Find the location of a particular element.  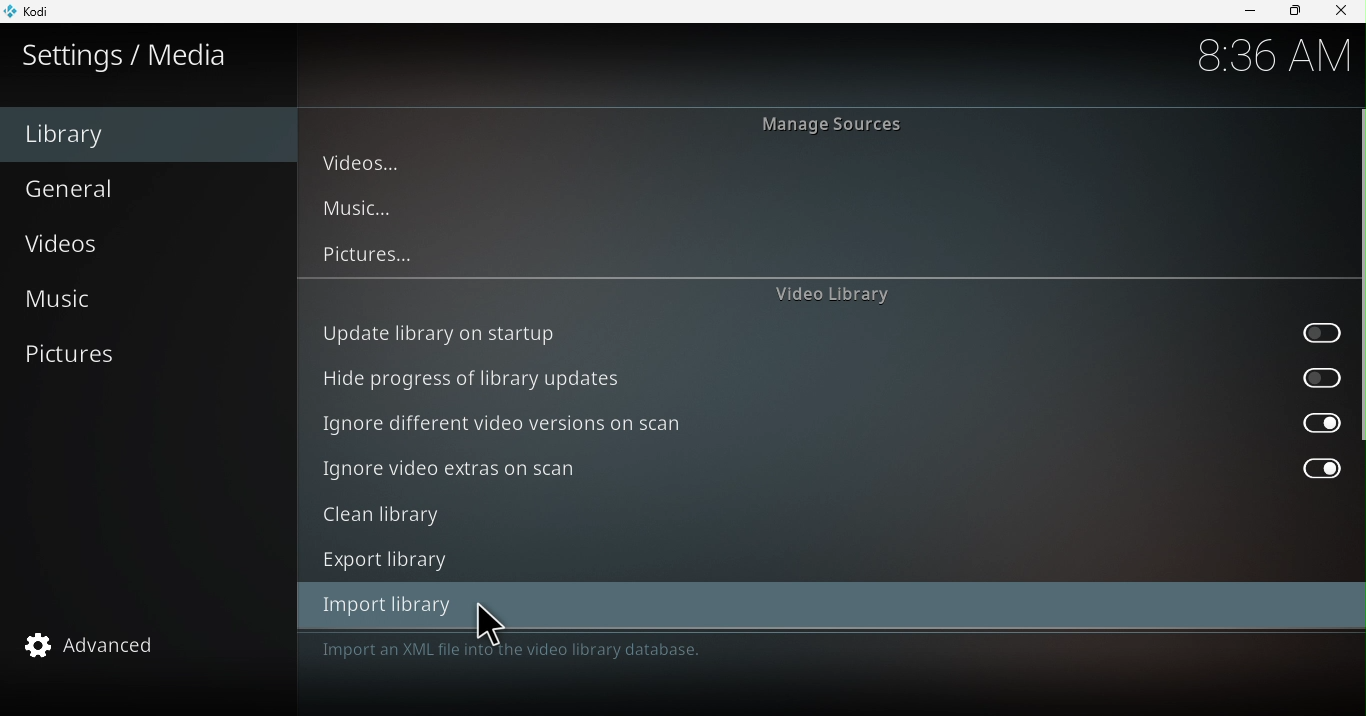

Ignore different video versions on scan is located at coordinates (827, 423).